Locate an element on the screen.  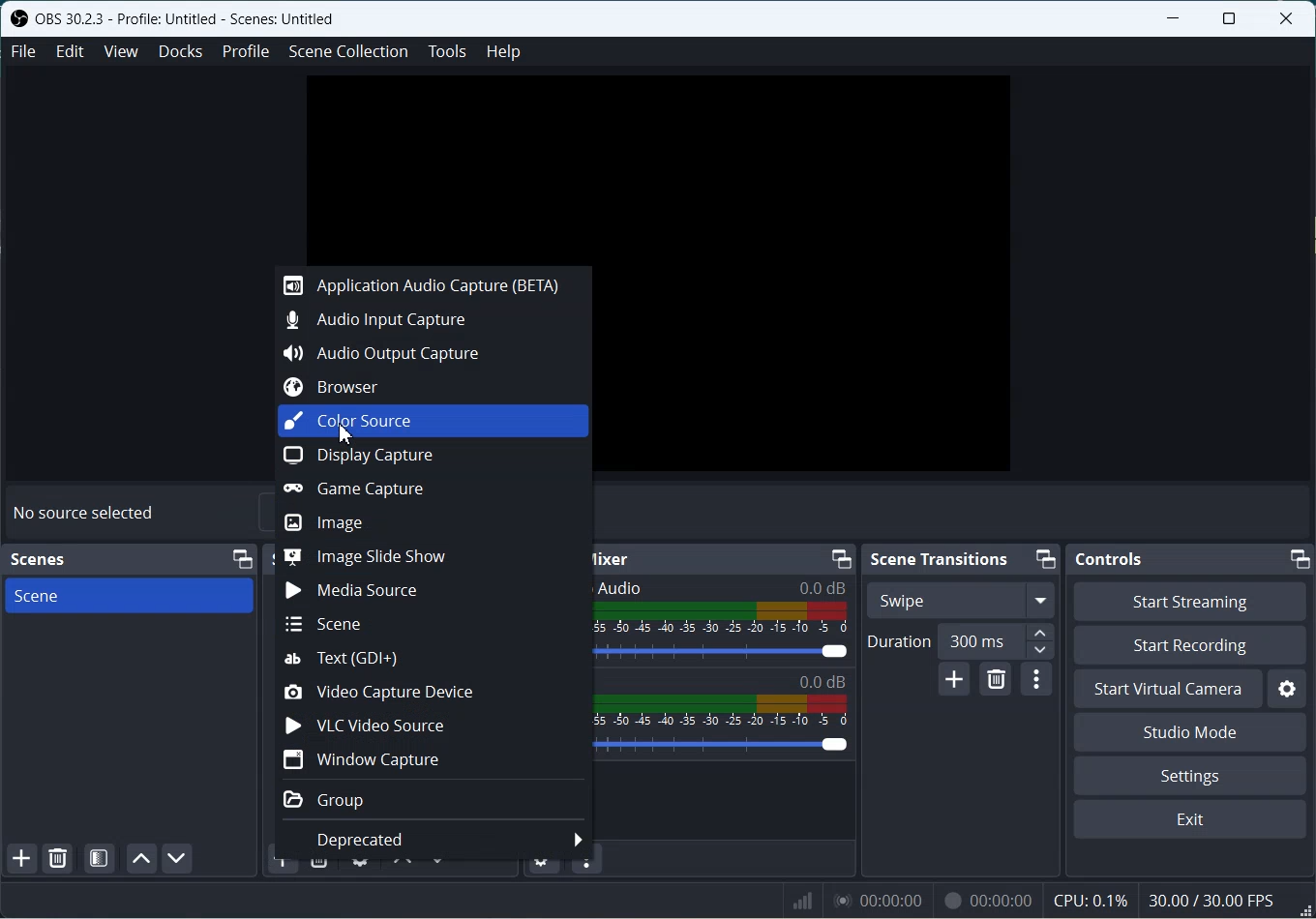
Remove selected Scene is located at coordinates (56, 859).